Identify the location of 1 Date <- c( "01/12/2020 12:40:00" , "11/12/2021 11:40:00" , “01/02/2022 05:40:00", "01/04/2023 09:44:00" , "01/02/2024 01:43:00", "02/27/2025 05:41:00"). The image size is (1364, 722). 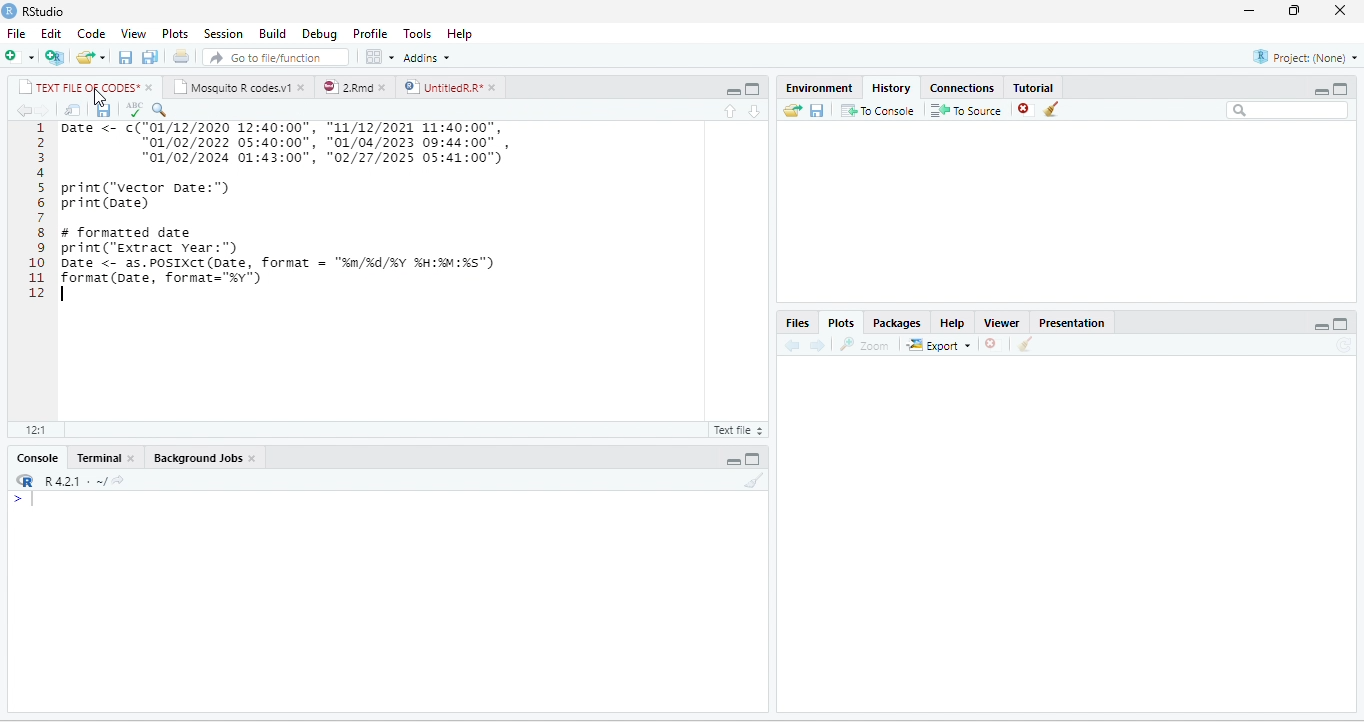
(290, 143).